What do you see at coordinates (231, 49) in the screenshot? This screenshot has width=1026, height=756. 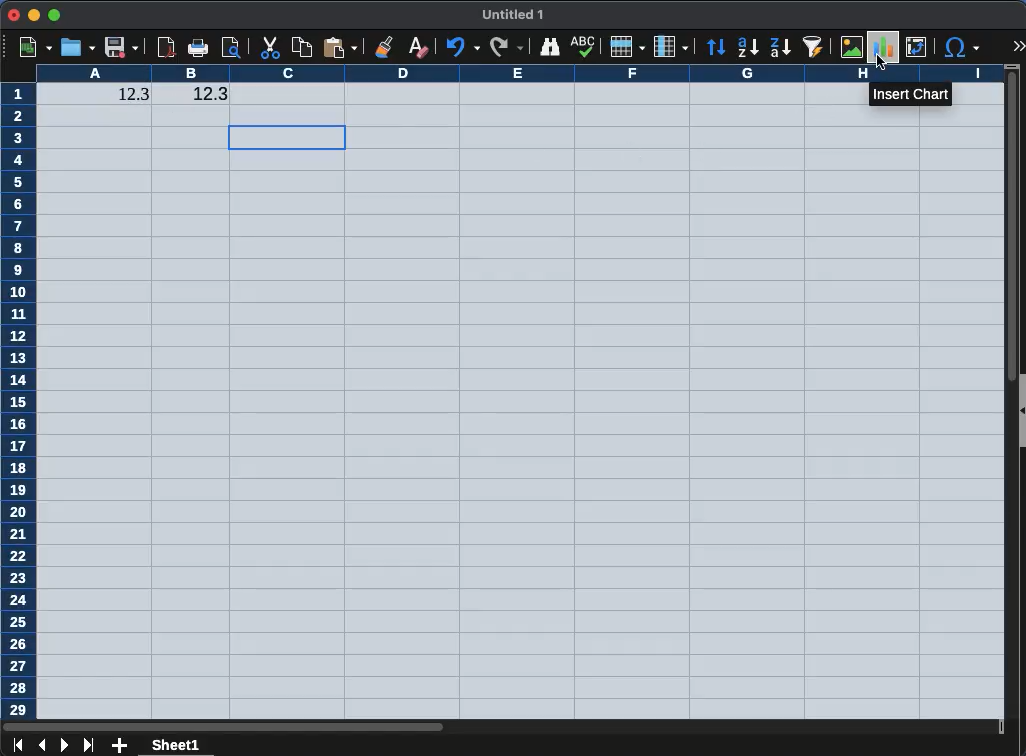 I see `print preview ` at bounding box center [231, 49].